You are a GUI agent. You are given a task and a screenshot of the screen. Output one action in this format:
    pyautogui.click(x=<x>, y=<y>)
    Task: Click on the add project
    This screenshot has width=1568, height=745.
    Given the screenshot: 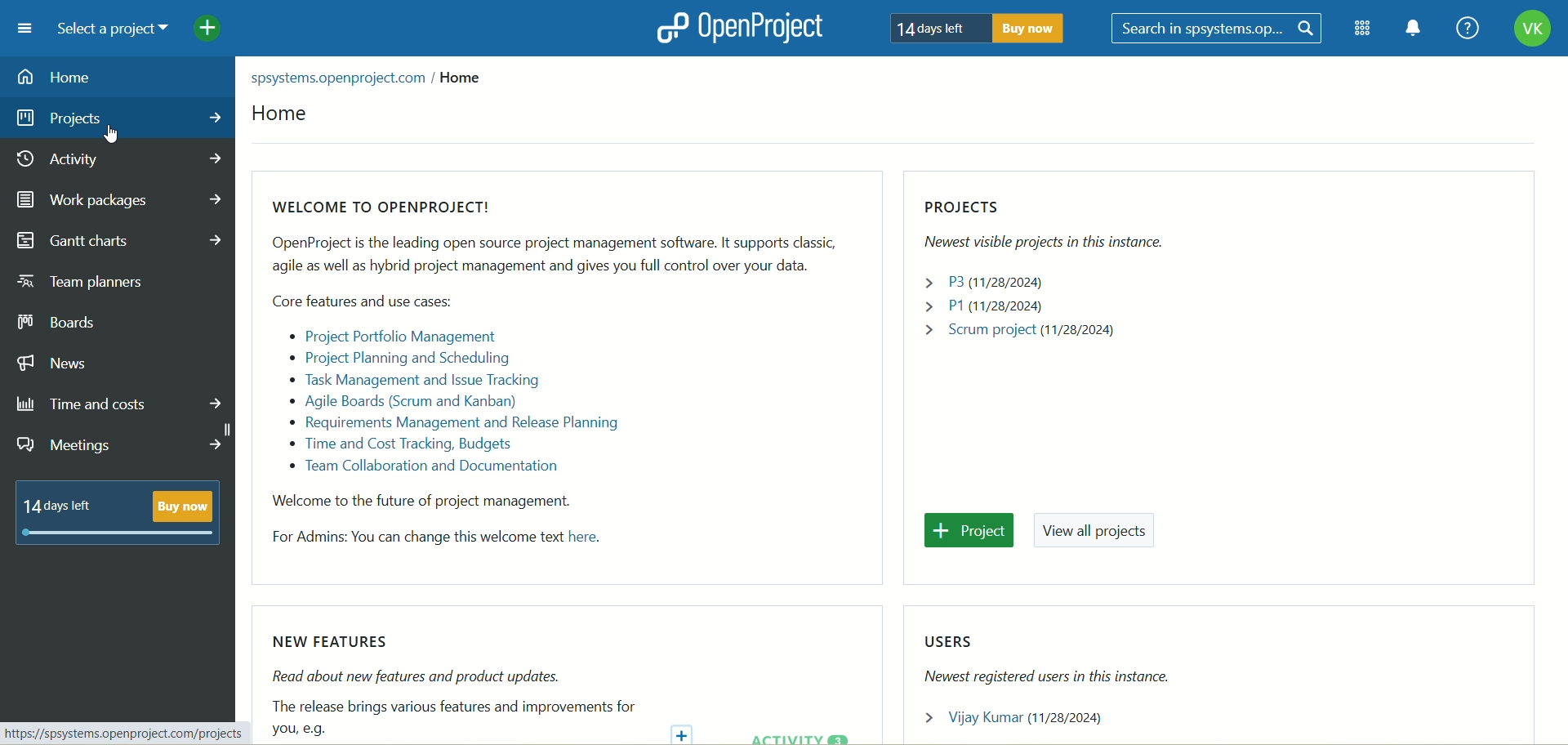 What is the action you would take?
    pyautogui.click(x=212, y=25)
    